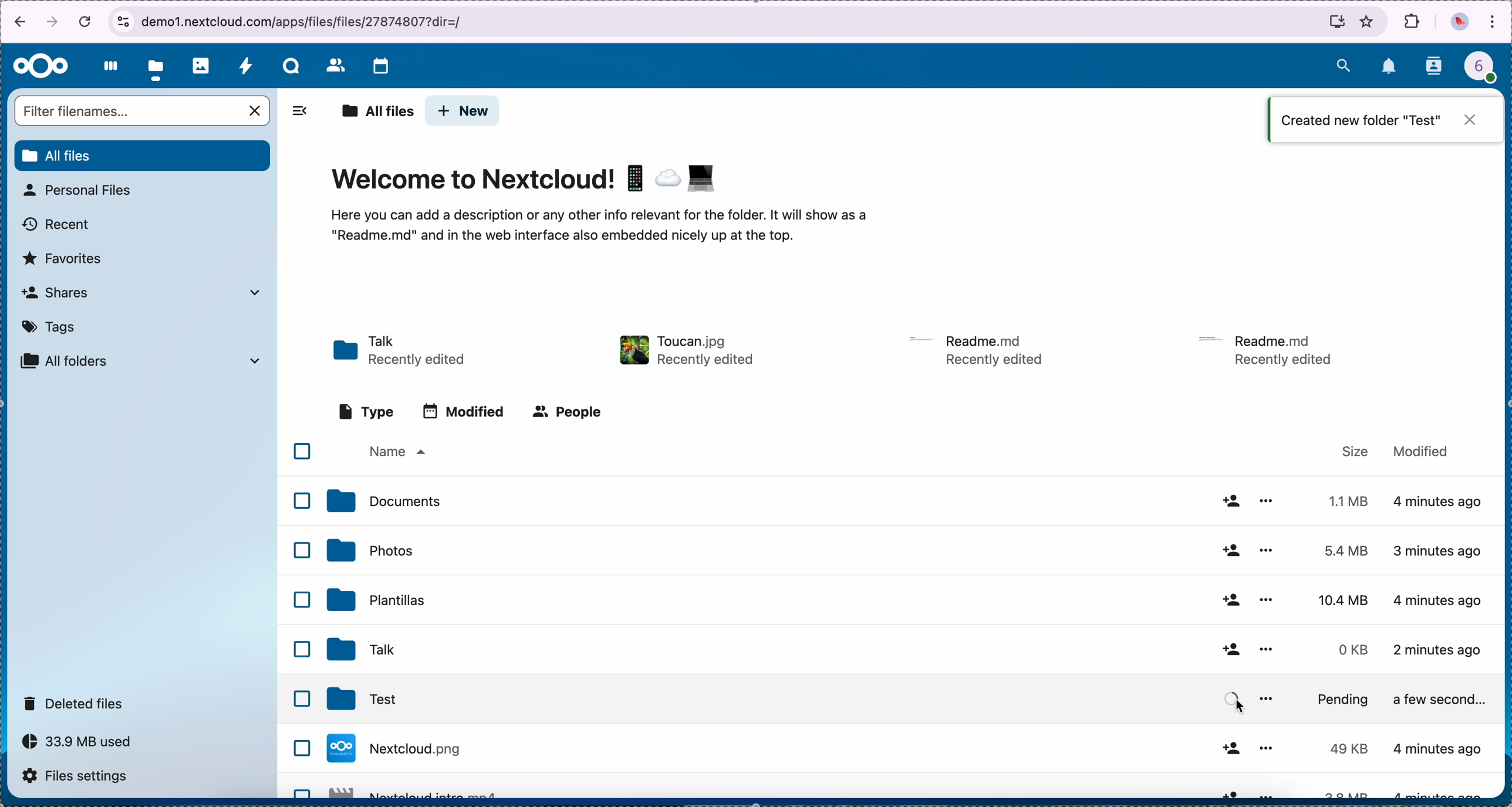 This screenshot has height=807, width=1512. What do you see at coordinates (396, 453) in the screenshot?
I see `name` at bounding box center [396, 453].